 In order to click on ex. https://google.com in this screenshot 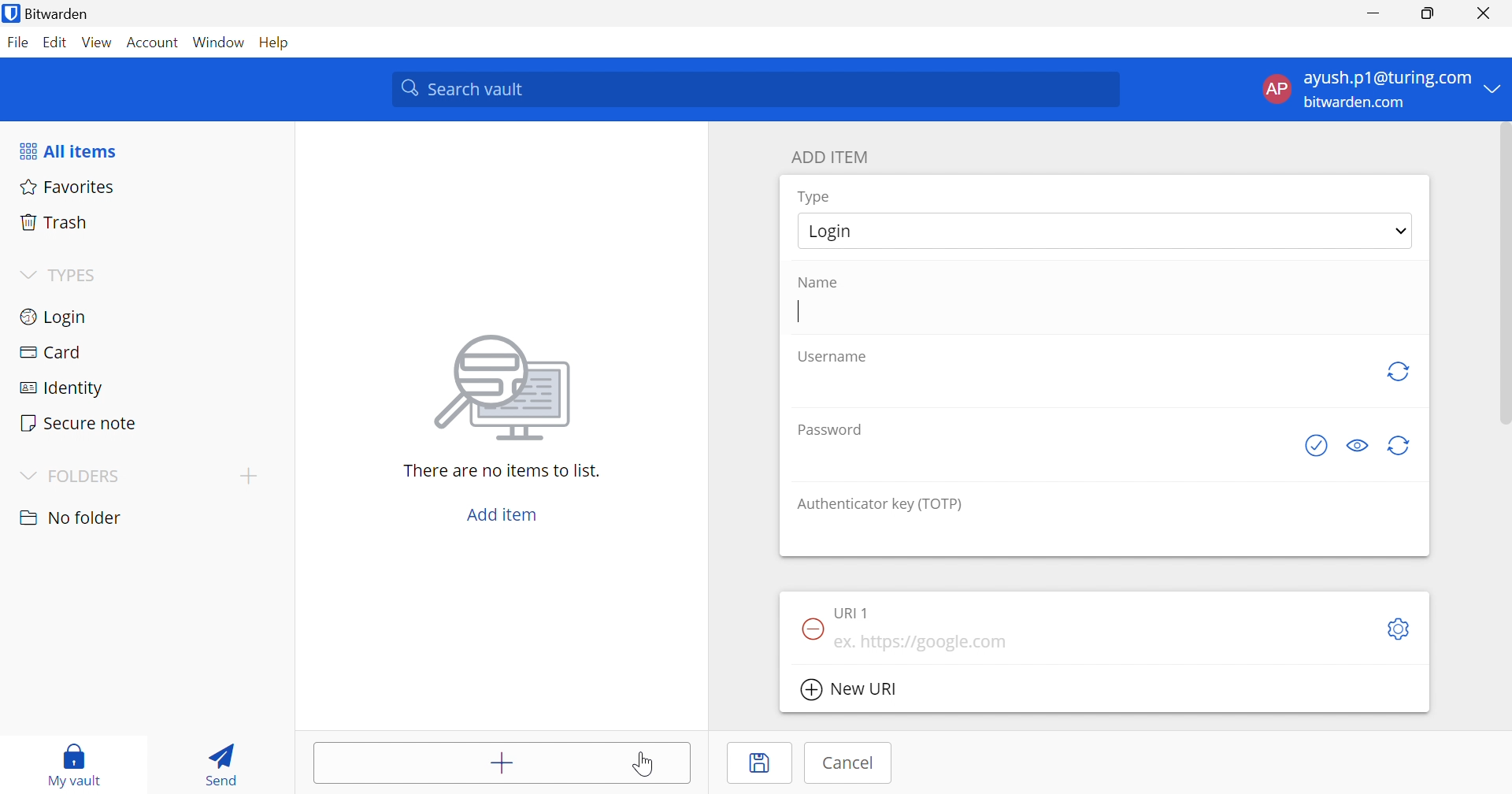, I will do `click(921, 642)`.